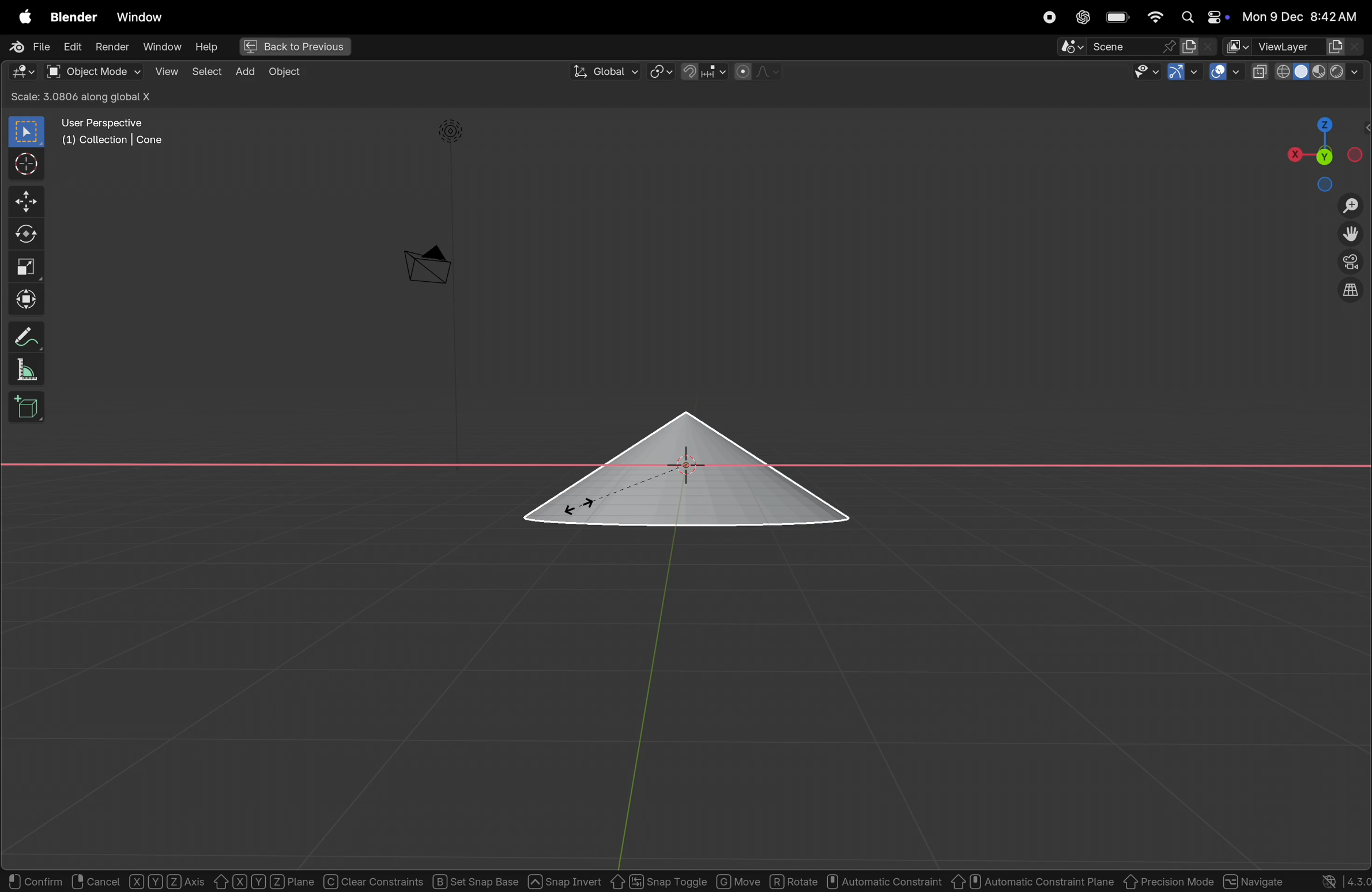  What do you see at coordinates (1299, 16) in the screenshot?
I see `date and time` at bounding box center [1299, 16].